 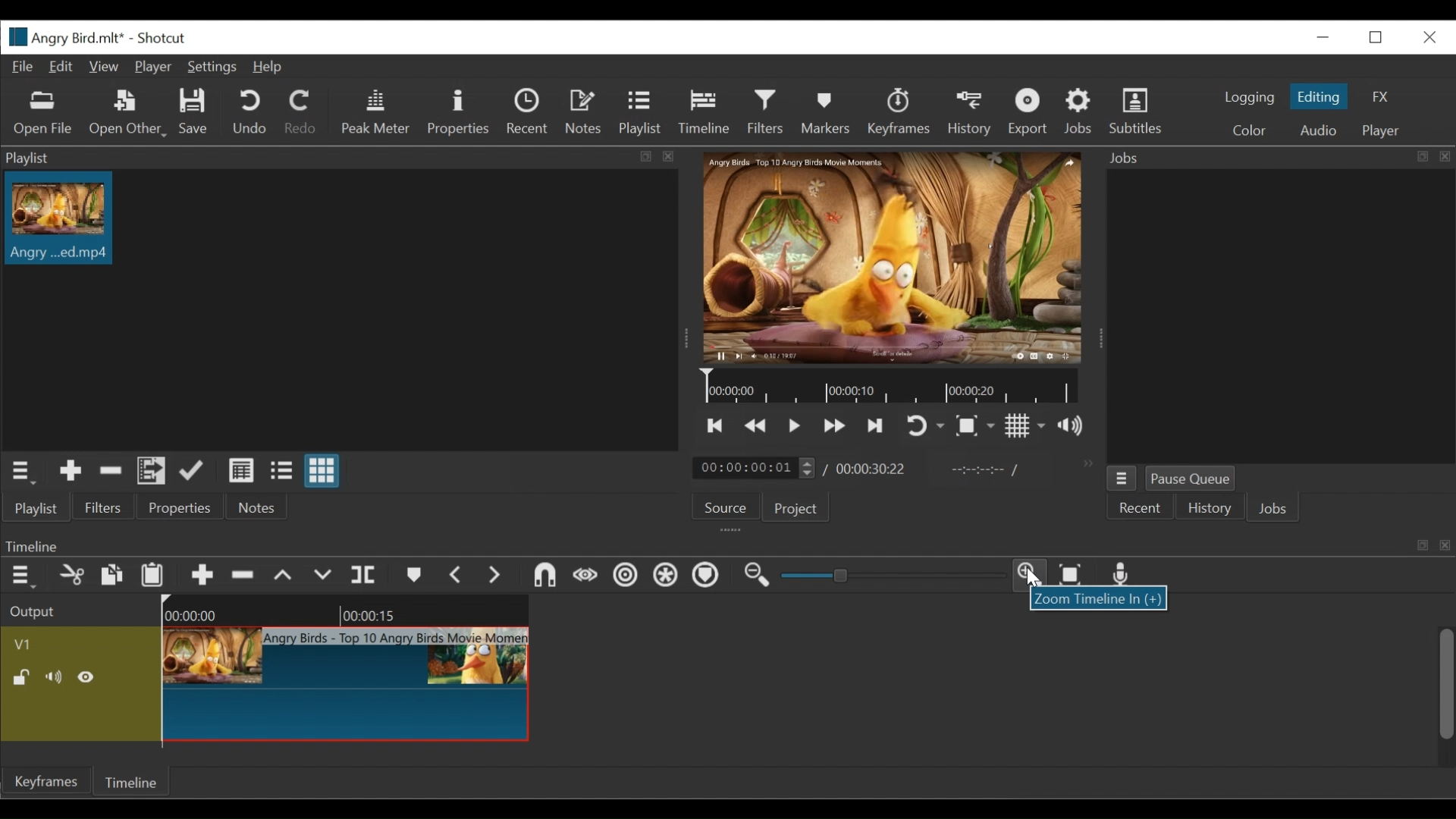 What do you see at coordinates (544, 576) in the screenshot?
I see `Snap` at bounding box center [544, 576].